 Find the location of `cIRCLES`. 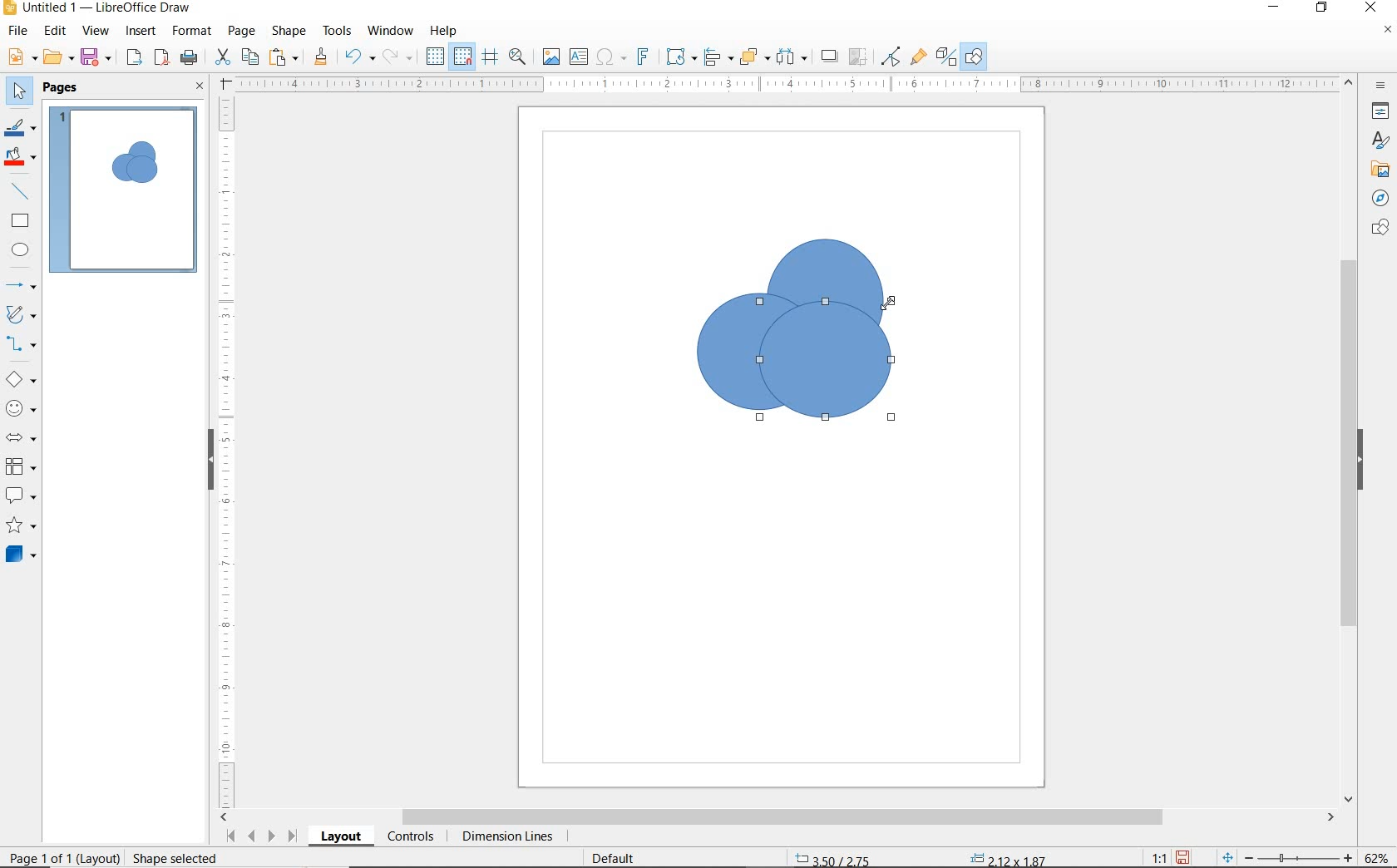

cIRCLES is located at coordinates (814, 333).